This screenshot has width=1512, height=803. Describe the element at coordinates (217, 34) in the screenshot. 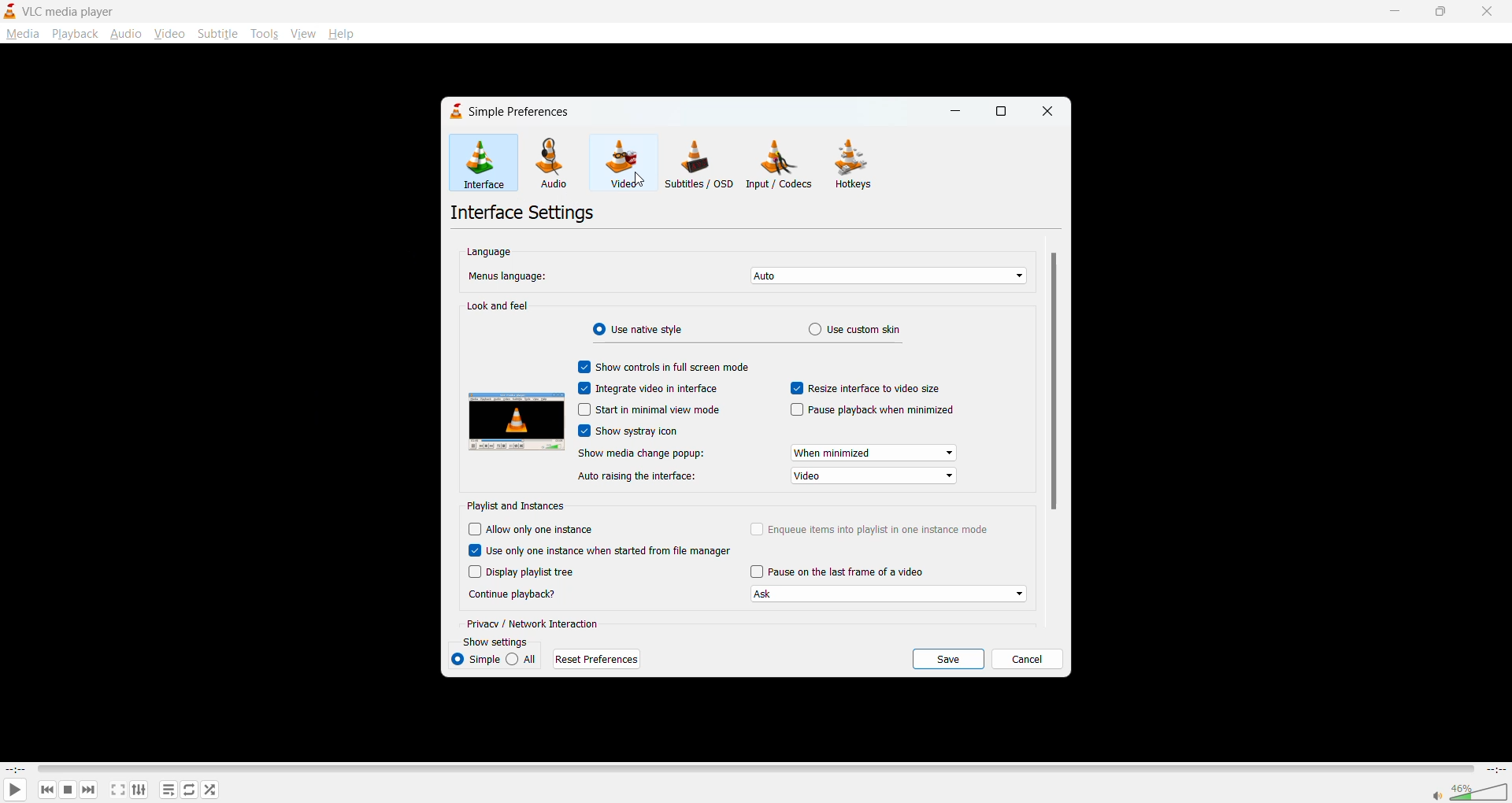

I see `subtitle` at that location.